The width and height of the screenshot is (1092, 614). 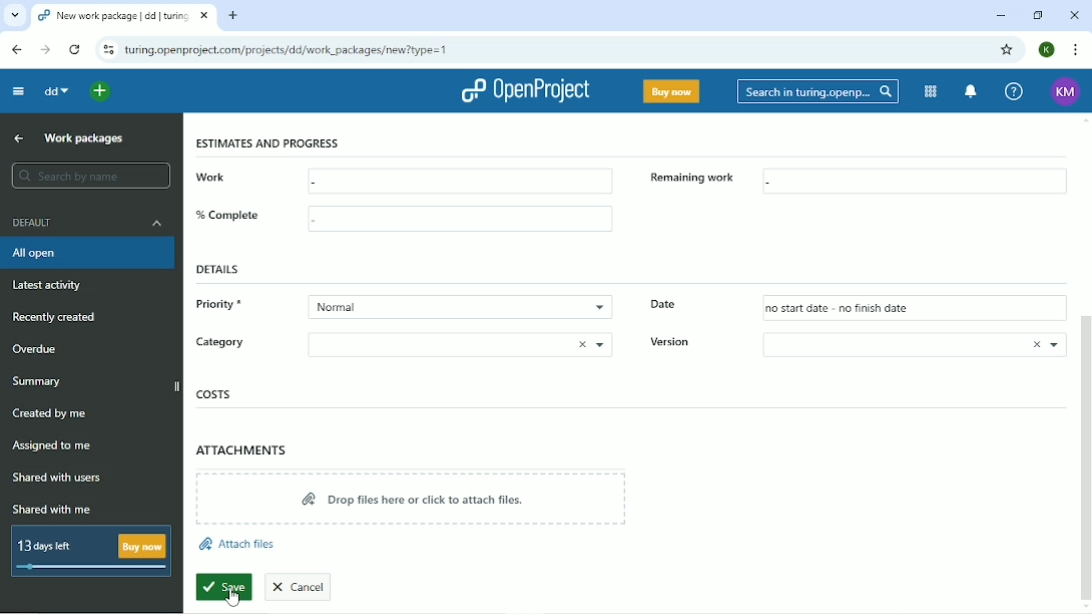 I want to click on box, so click(x=919, y=182).